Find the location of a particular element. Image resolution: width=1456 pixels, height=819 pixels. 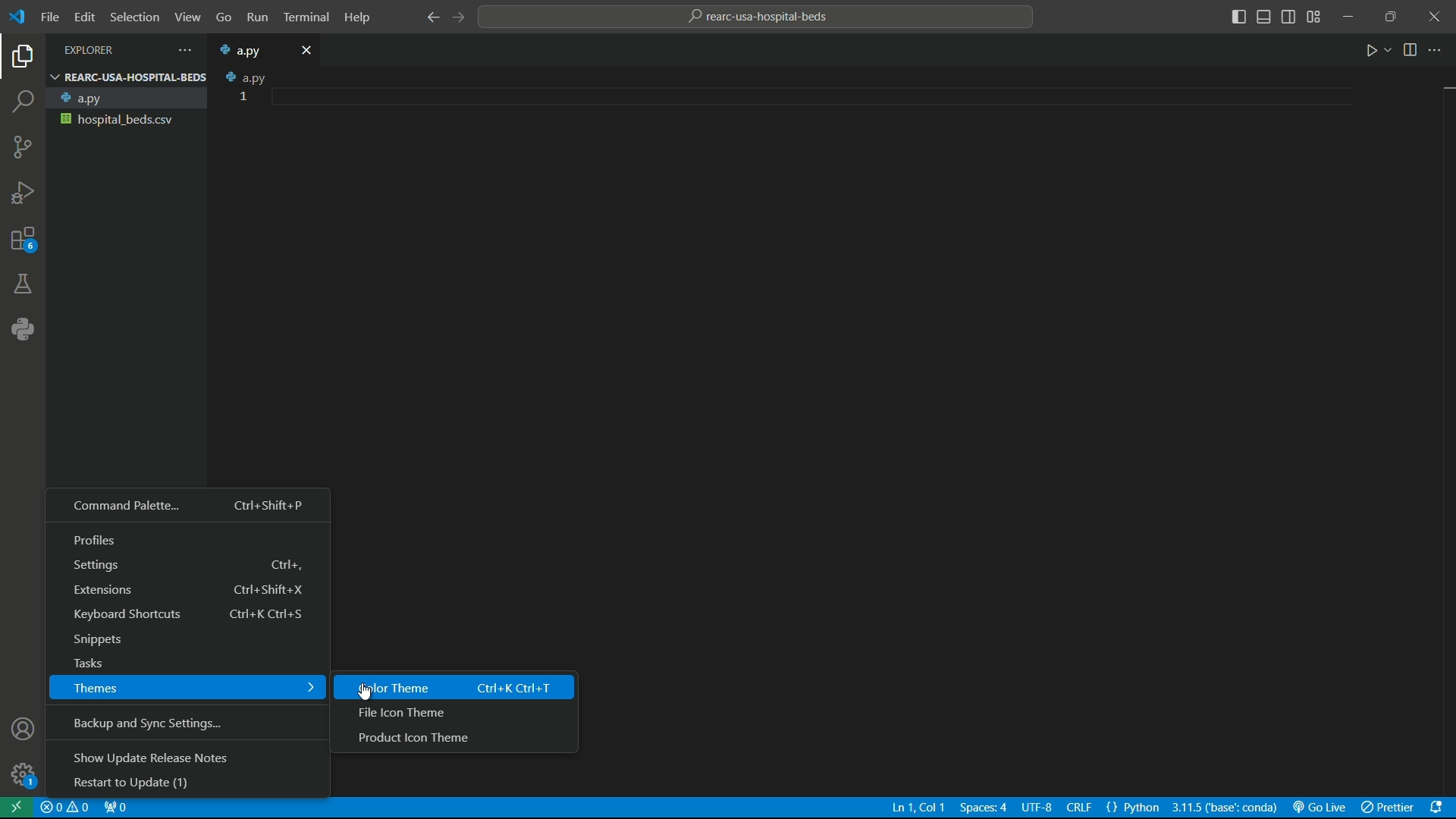

source code is located at coordinates (22, 150).